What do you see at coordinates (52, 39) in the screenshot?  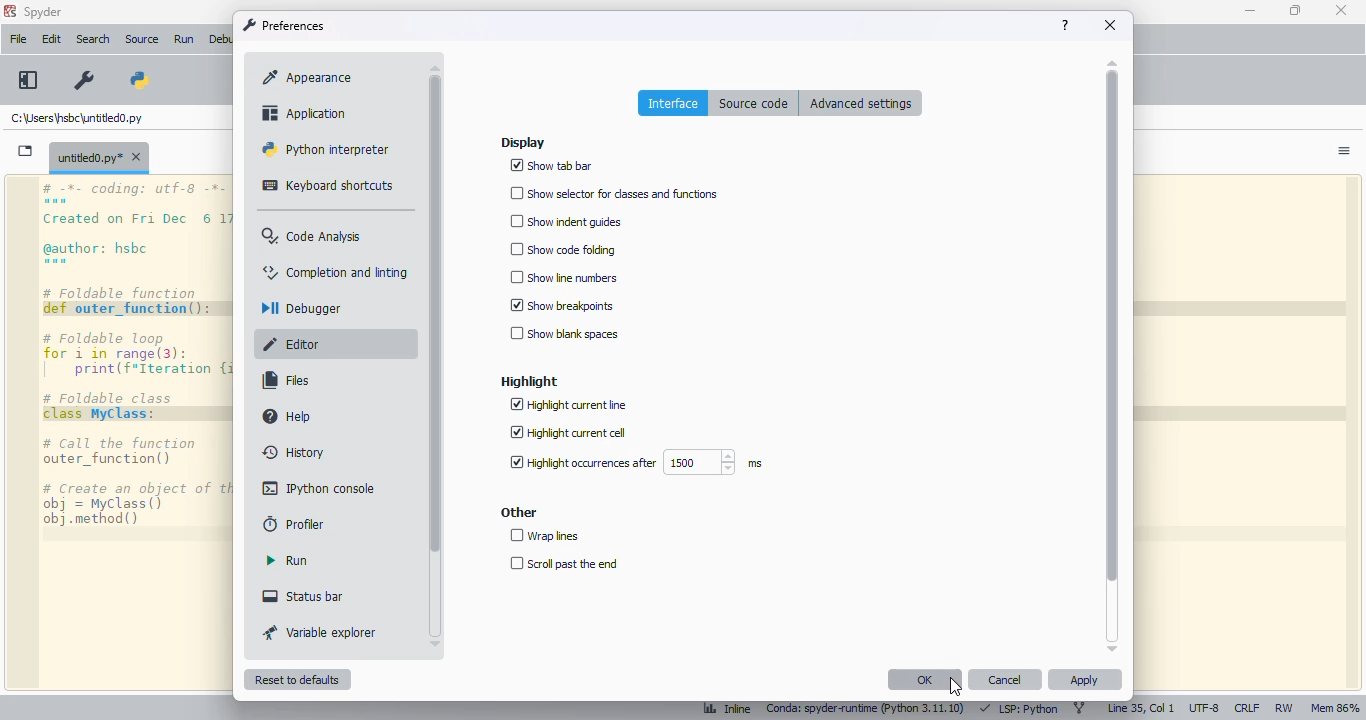 I see `edit` at bounding box center [52, 39].